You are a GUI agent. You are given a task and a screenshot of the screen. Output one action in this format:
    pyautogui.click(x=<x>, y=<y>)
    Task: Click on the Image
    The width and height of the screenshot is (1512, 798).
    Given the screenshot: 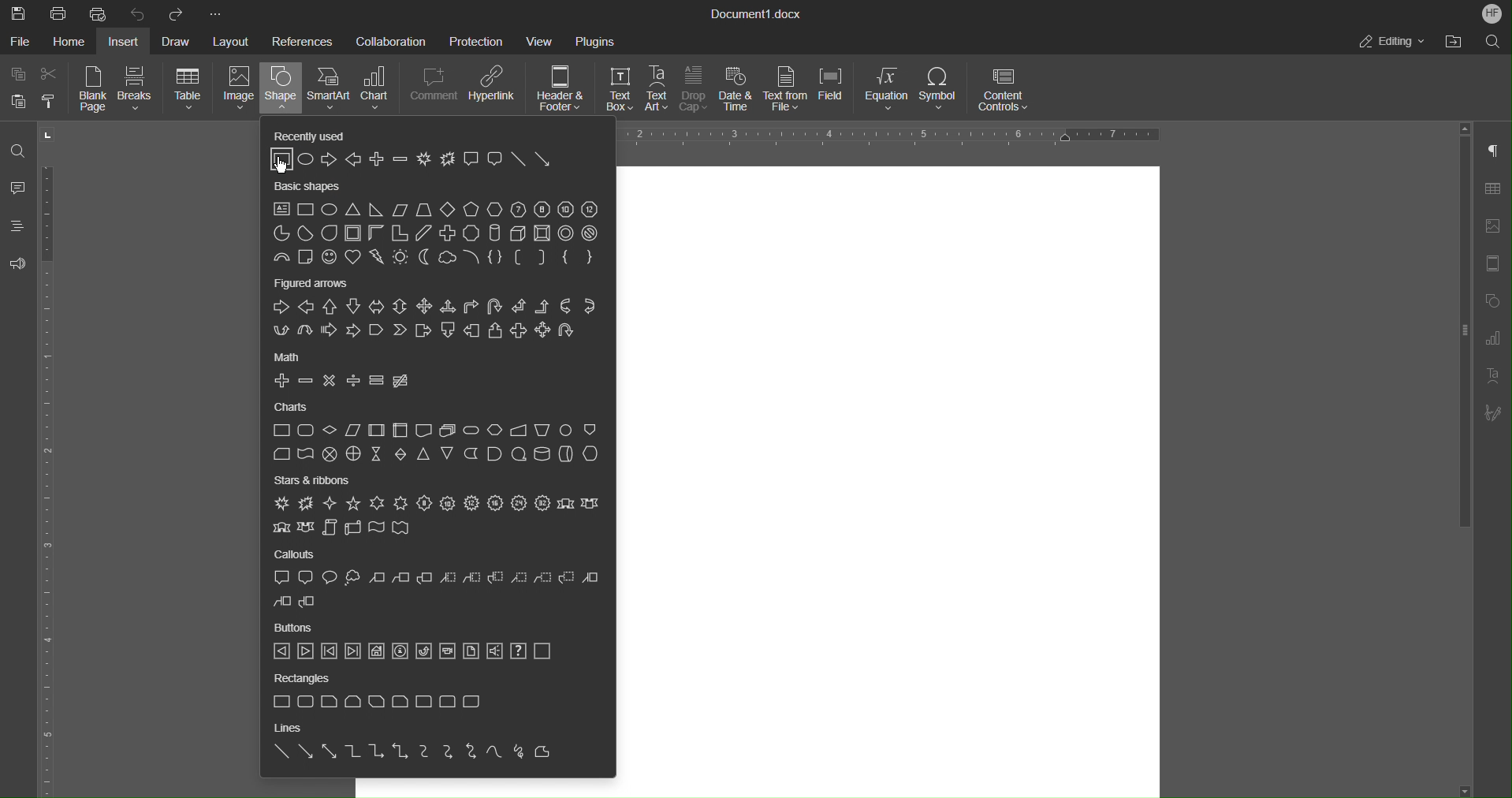 What is the action you would take?
    pyautogui.click(x=236, y=91)
    